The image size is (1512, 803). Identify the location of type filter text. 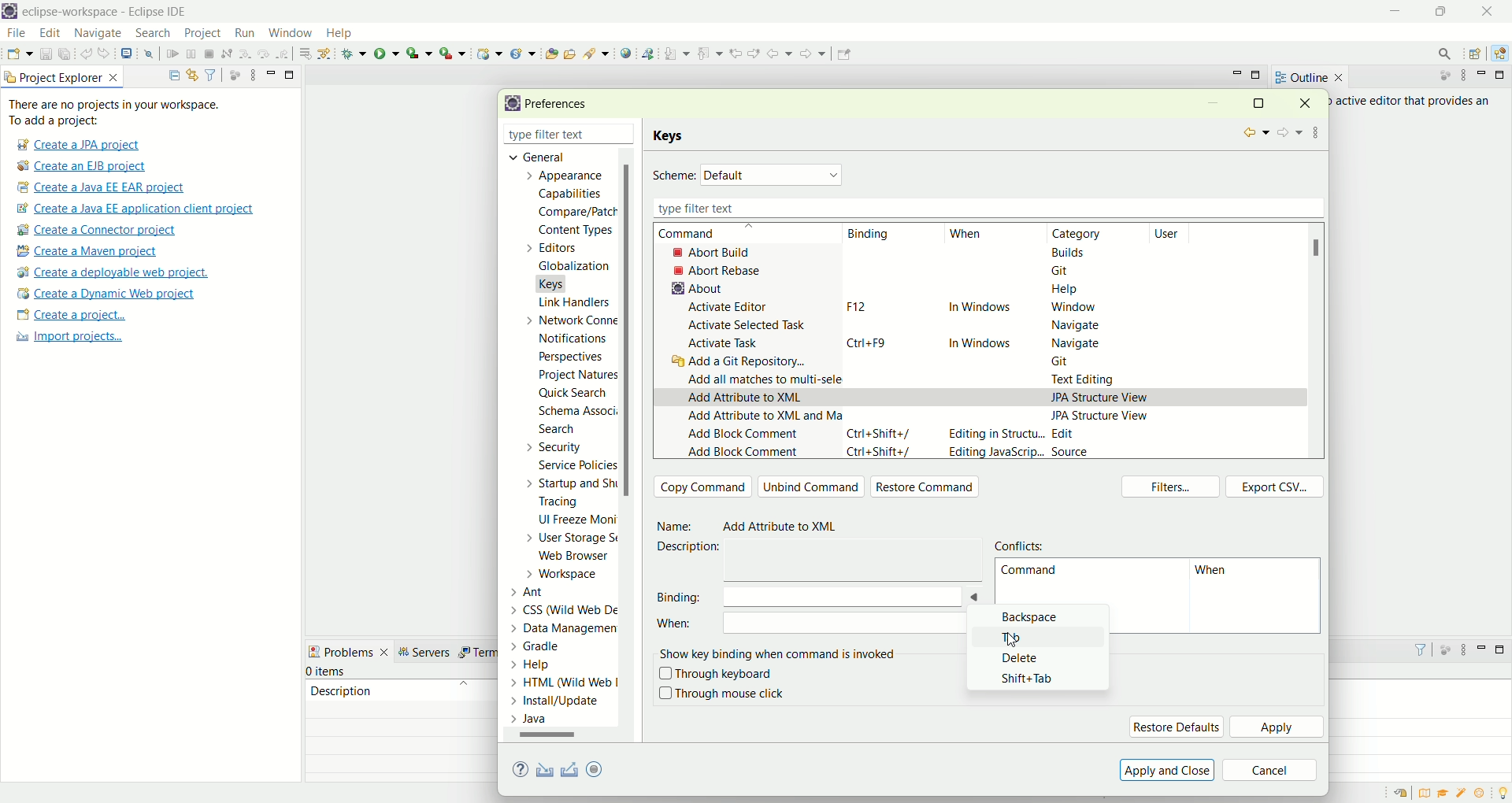
(550, 136).